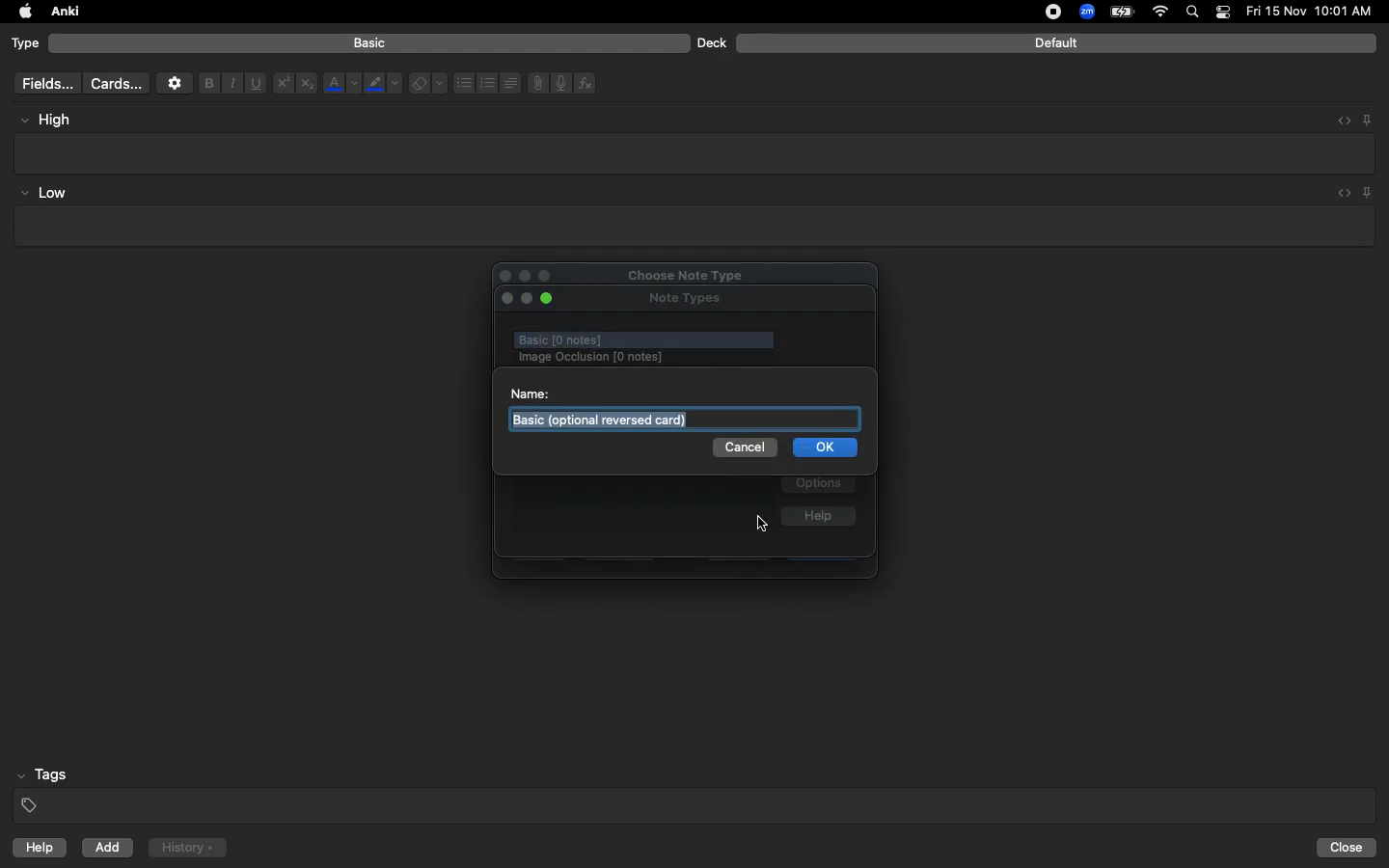 This screenshot has height=868, width=1389. What do you see at coordinates (1056, 43) in the screenshot?
I see `Default` at bounding box center [1056, 43].